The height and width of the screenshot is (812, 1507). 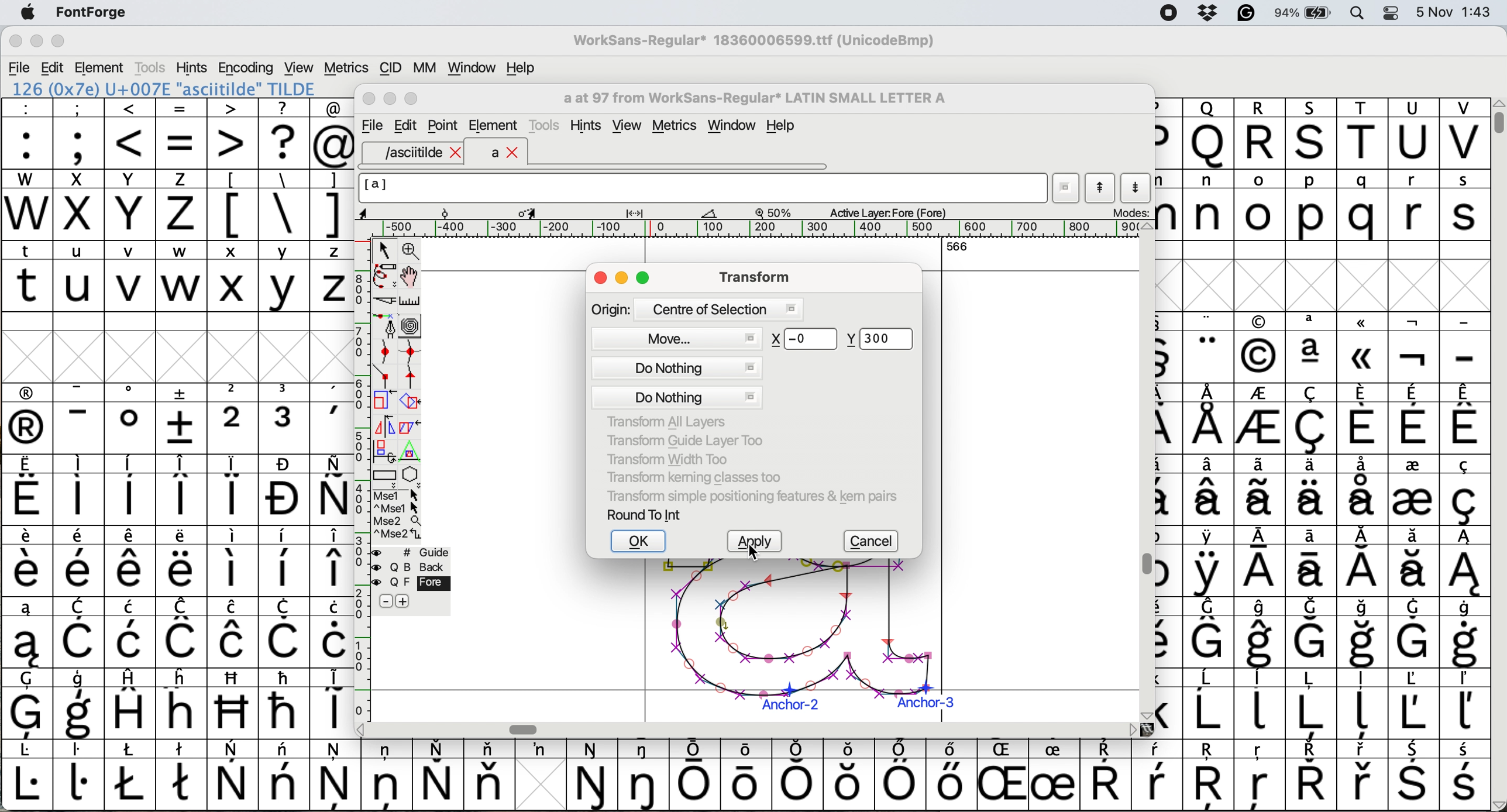 What do you see at coordinates (1312, 347) in the screenshot?
I see `symbol` at bounding box center [1312, 347].